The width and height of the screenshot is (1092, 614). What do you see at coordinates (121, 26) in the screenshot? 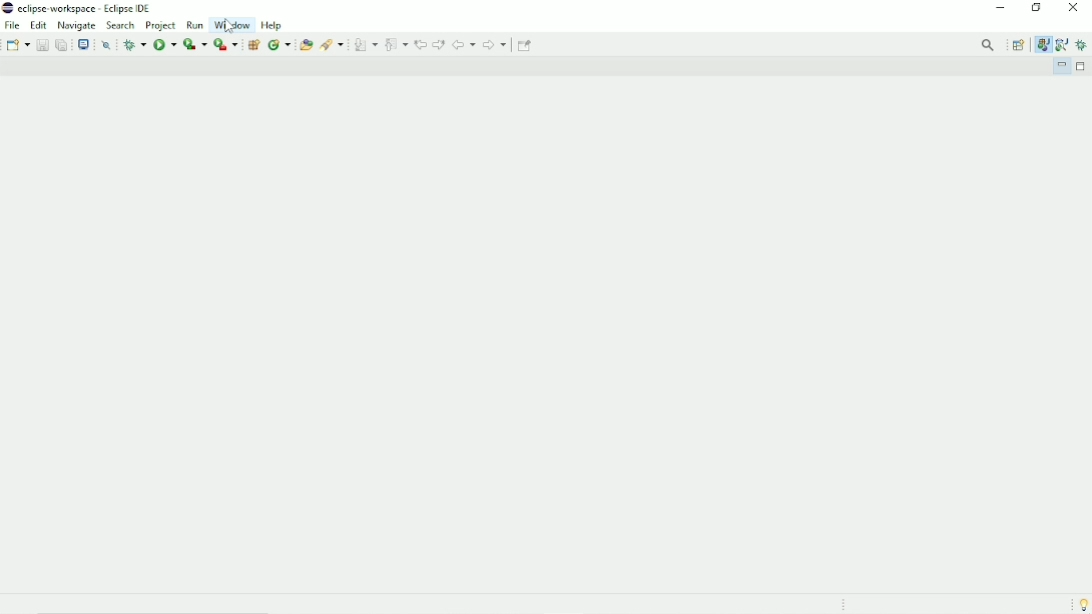
I see `Search` at bounding box center [121, 26].